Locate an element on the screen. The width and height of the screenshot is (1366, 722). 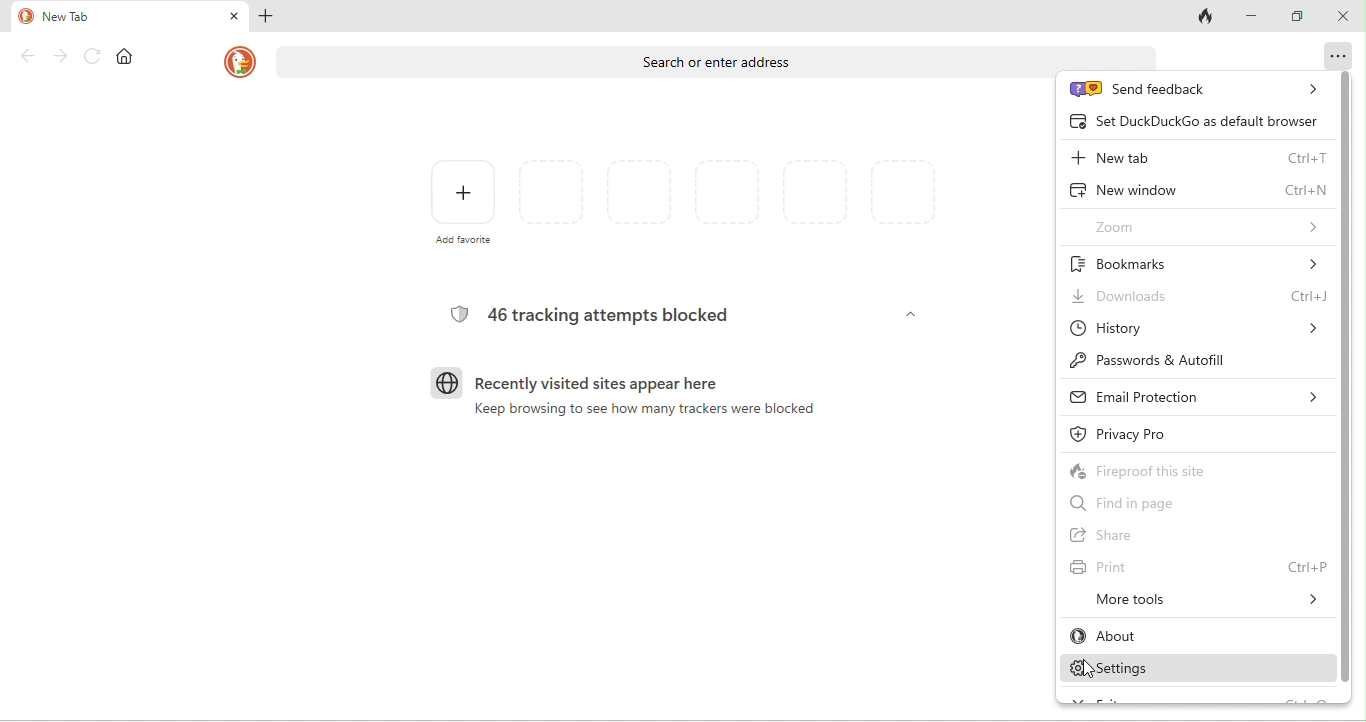
home is located at coordinates (125, 58).